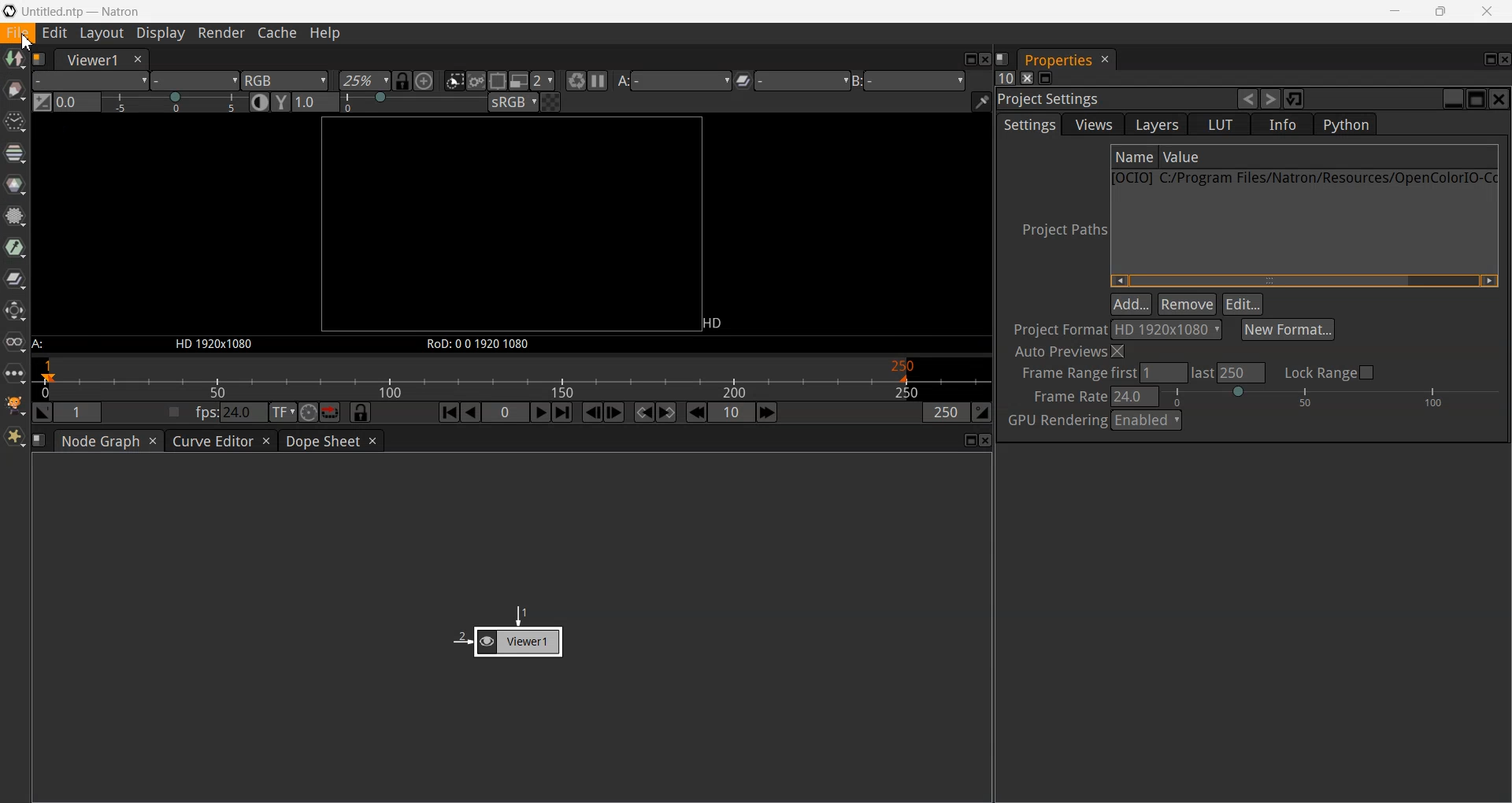  What do you see at coordinates (175, 412) in the screenshot?
I see `Enable fps` at bounding box center [175, 412].